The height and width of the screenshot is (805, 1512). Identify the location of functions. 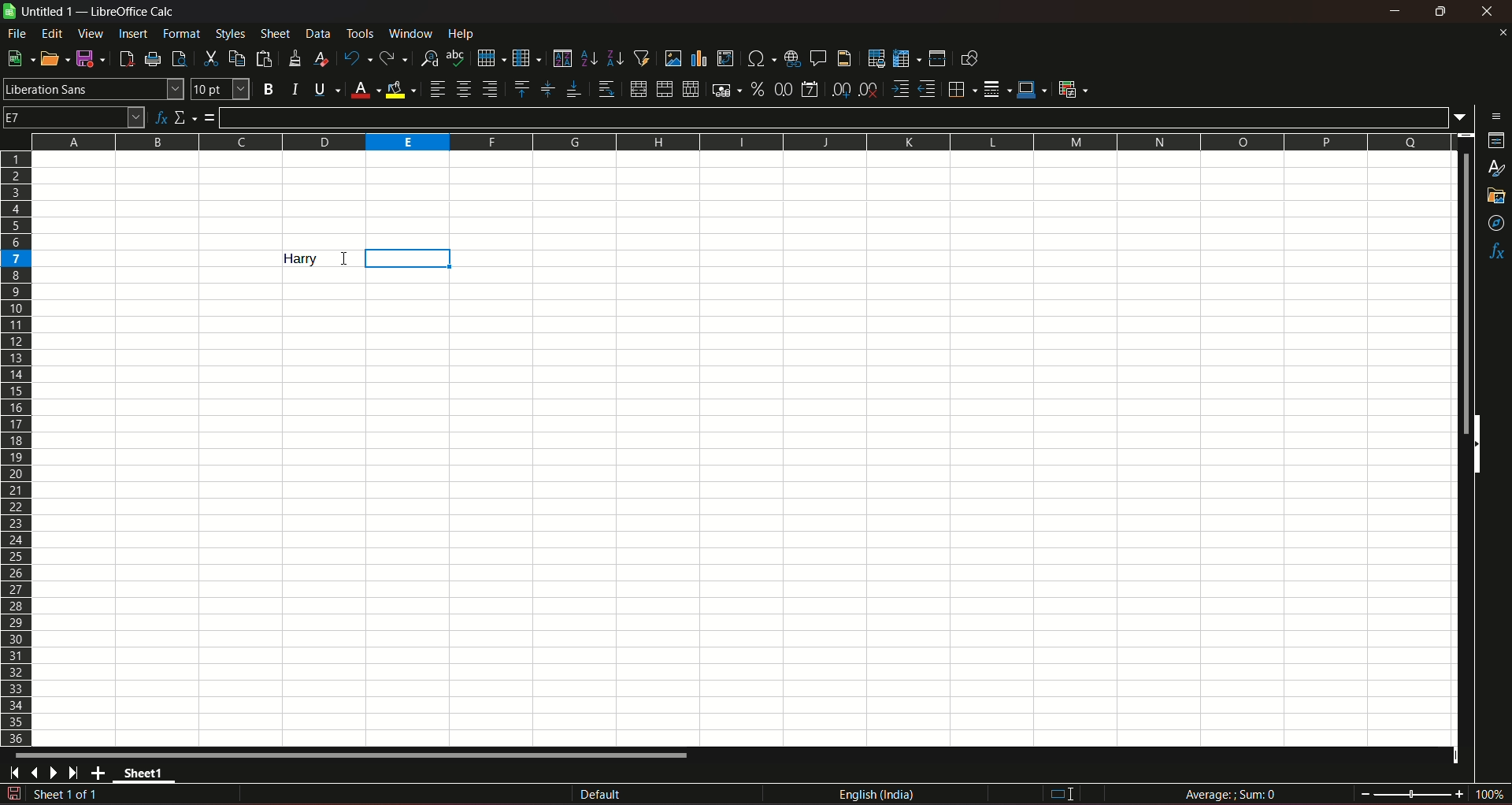
(1496, 253).